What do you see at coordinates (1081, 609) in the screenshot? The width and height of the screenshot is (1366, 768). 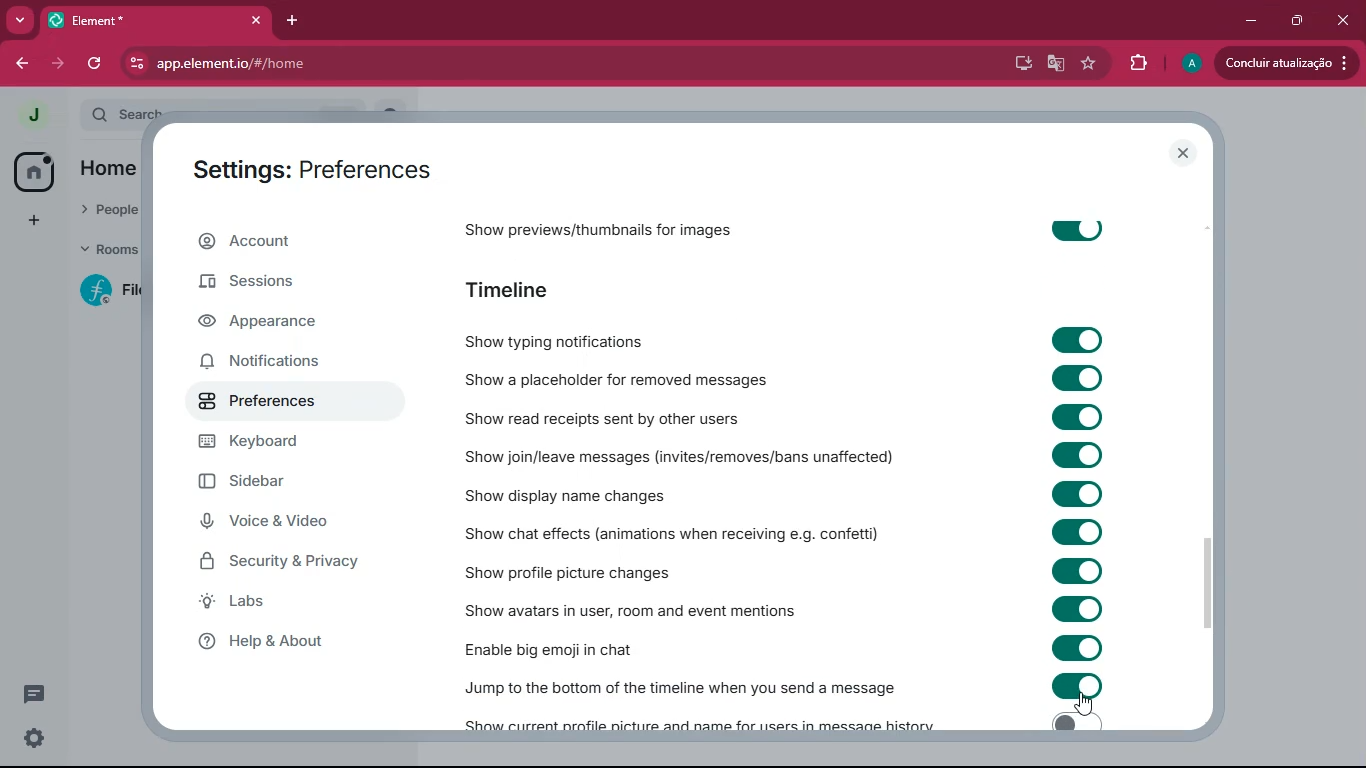 I see `toggle on ` at bounding box center [1081, 609].